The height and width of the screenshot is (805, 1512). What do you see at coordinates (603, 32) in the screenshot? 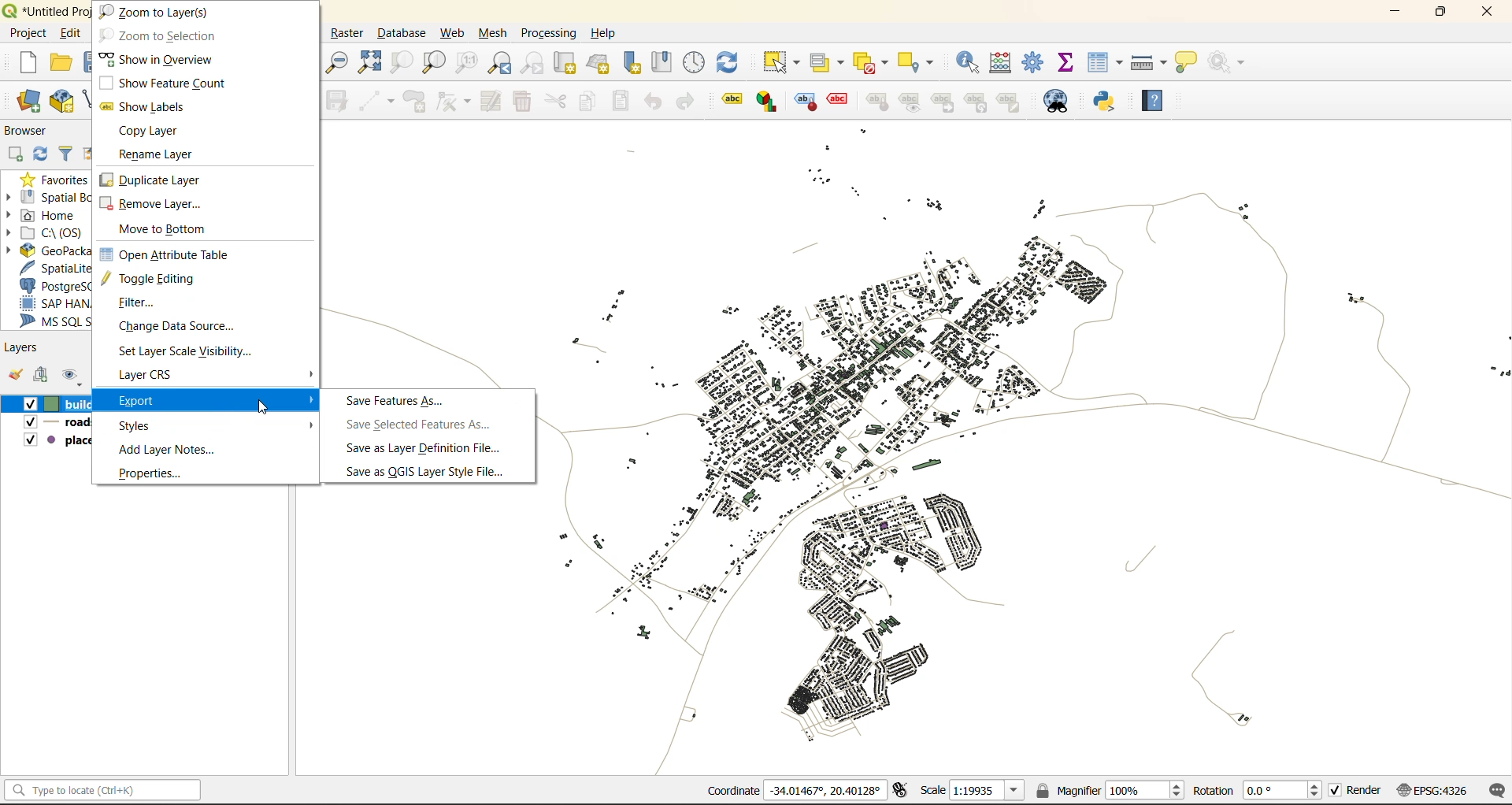
I see `help` at bounding box center [603, 32].